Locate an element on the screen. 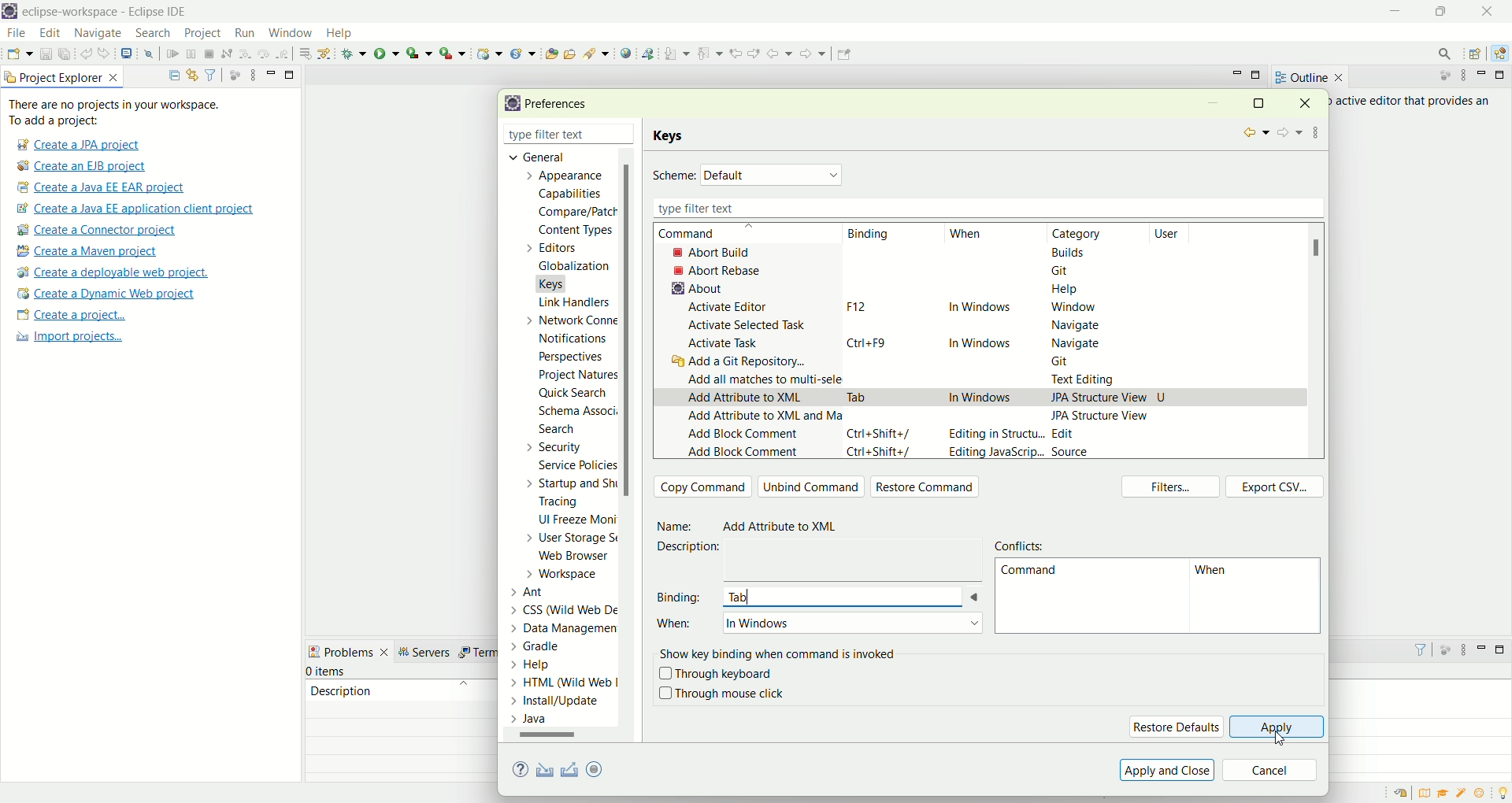  copy command is located at coordinates (703, 487).